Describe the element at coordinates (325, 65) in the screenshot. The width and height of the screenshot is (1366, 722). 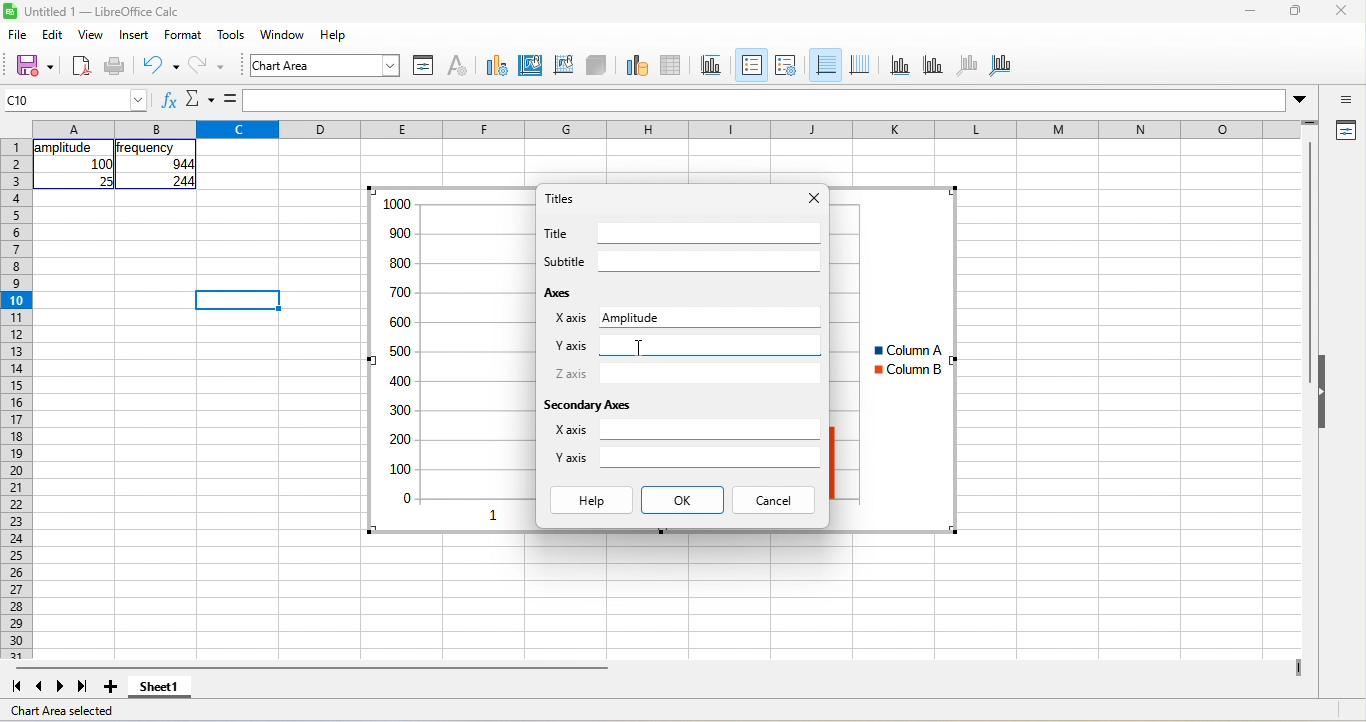
I see `font name` at that location.